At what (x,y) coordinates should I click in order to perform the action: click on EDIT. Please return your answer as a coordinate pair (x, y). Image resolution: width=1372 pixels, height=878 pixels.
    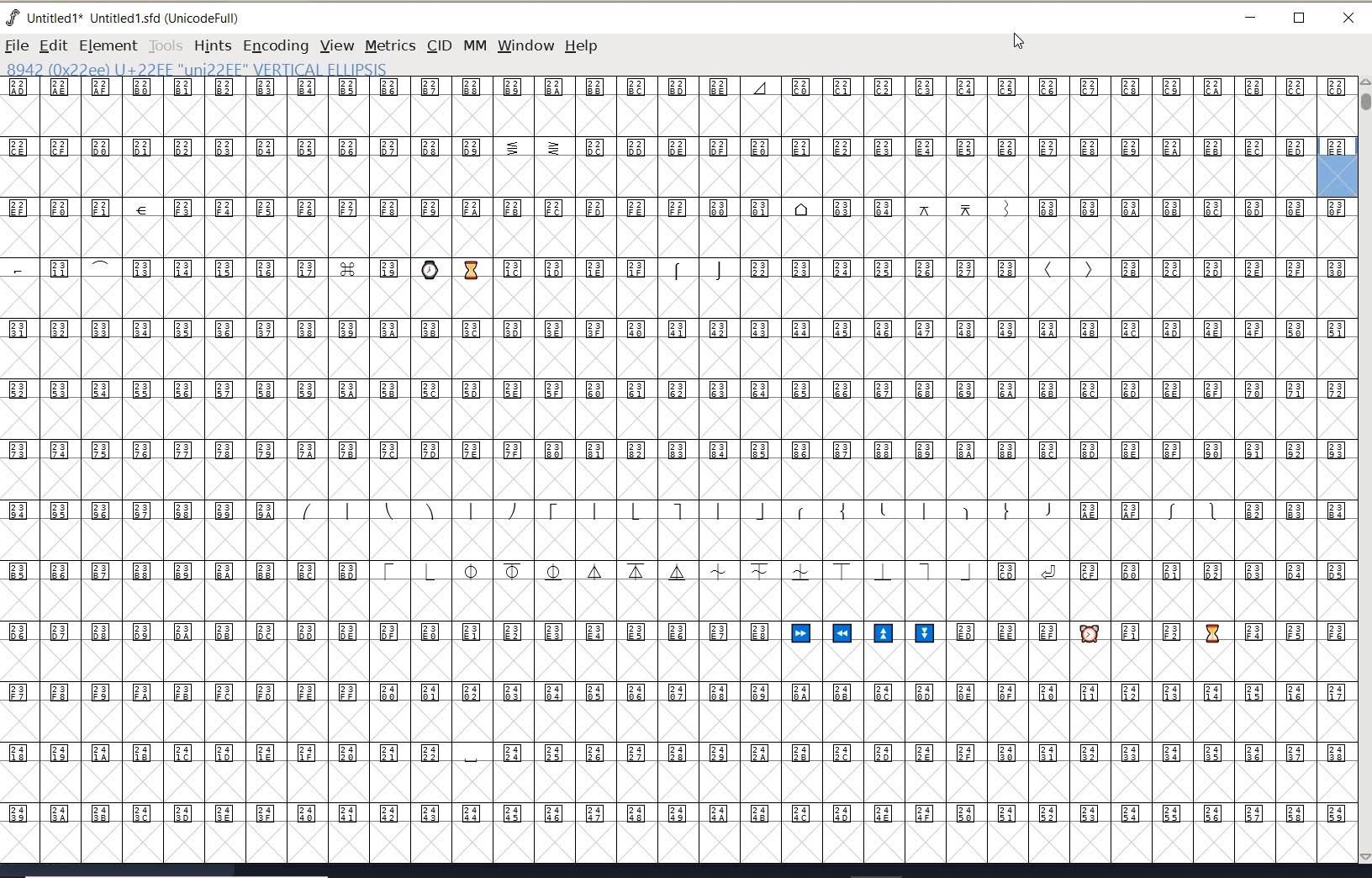
    Looking at the image, I should click on (53, 45).